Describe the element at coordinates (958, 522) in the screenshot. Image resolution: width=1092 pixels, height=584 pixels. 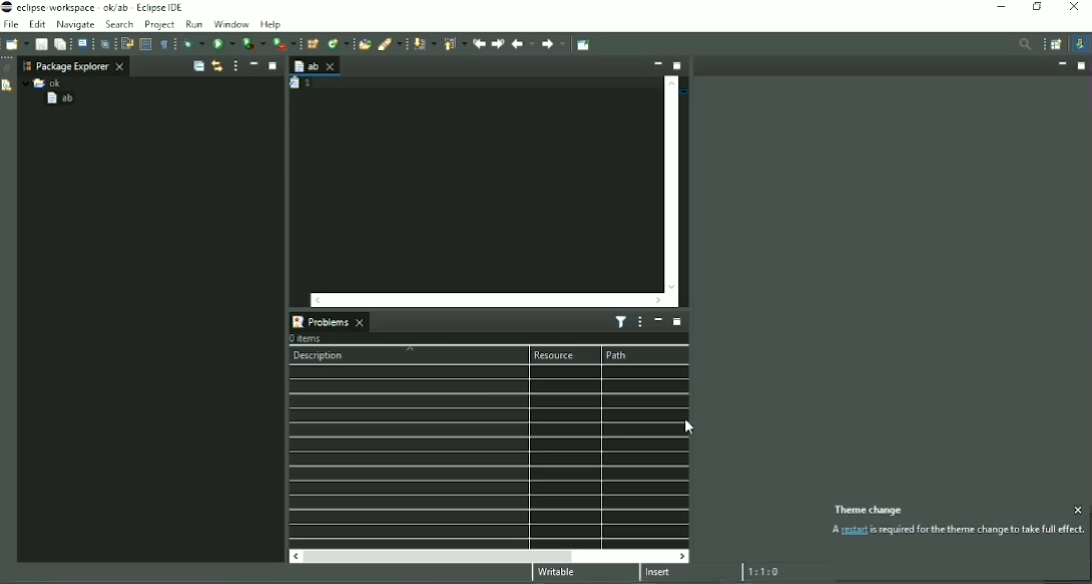
I see `Theme Change` at that location.